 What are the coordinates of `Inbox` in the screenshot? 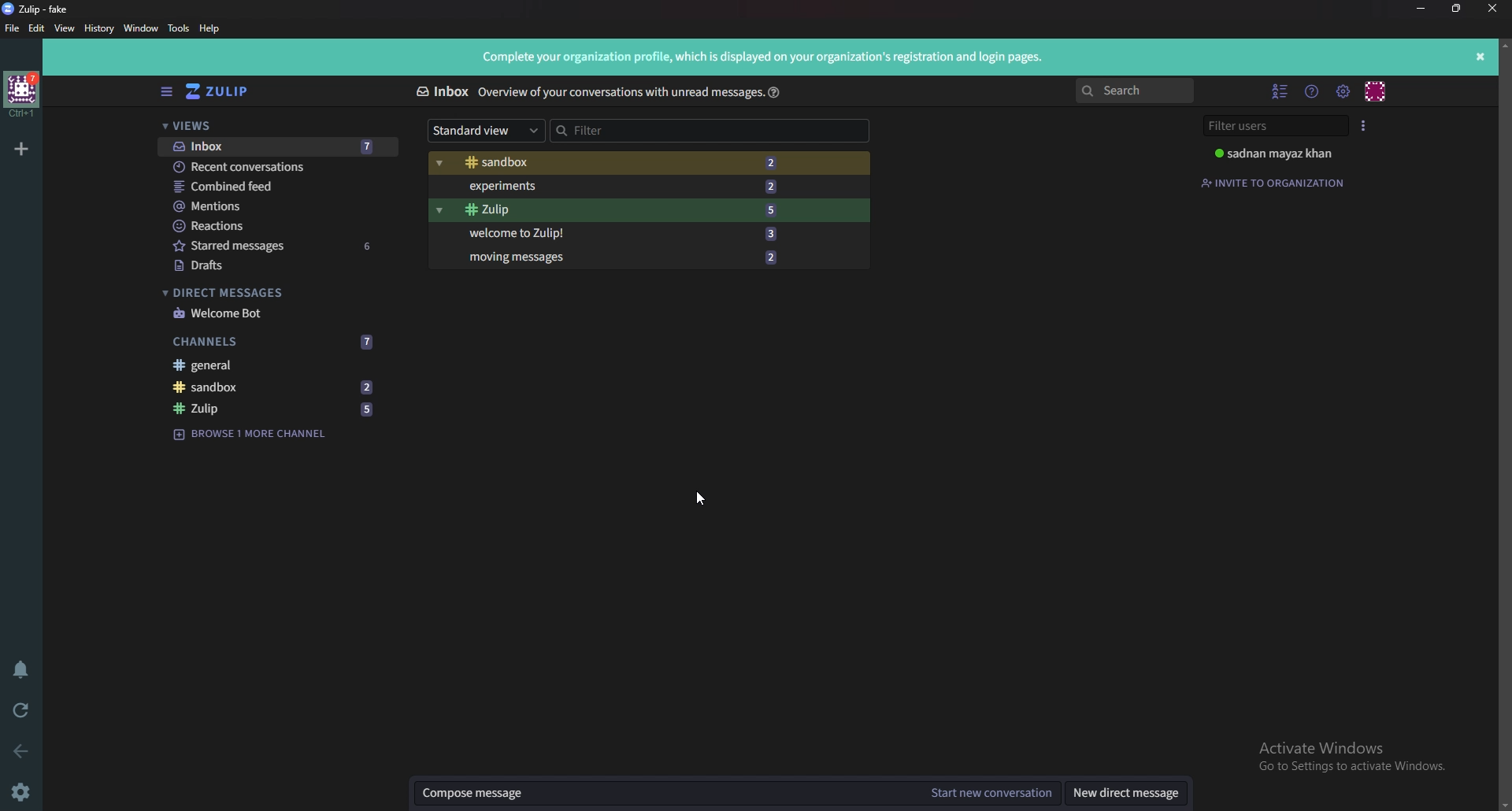 It's located at (276, 148).